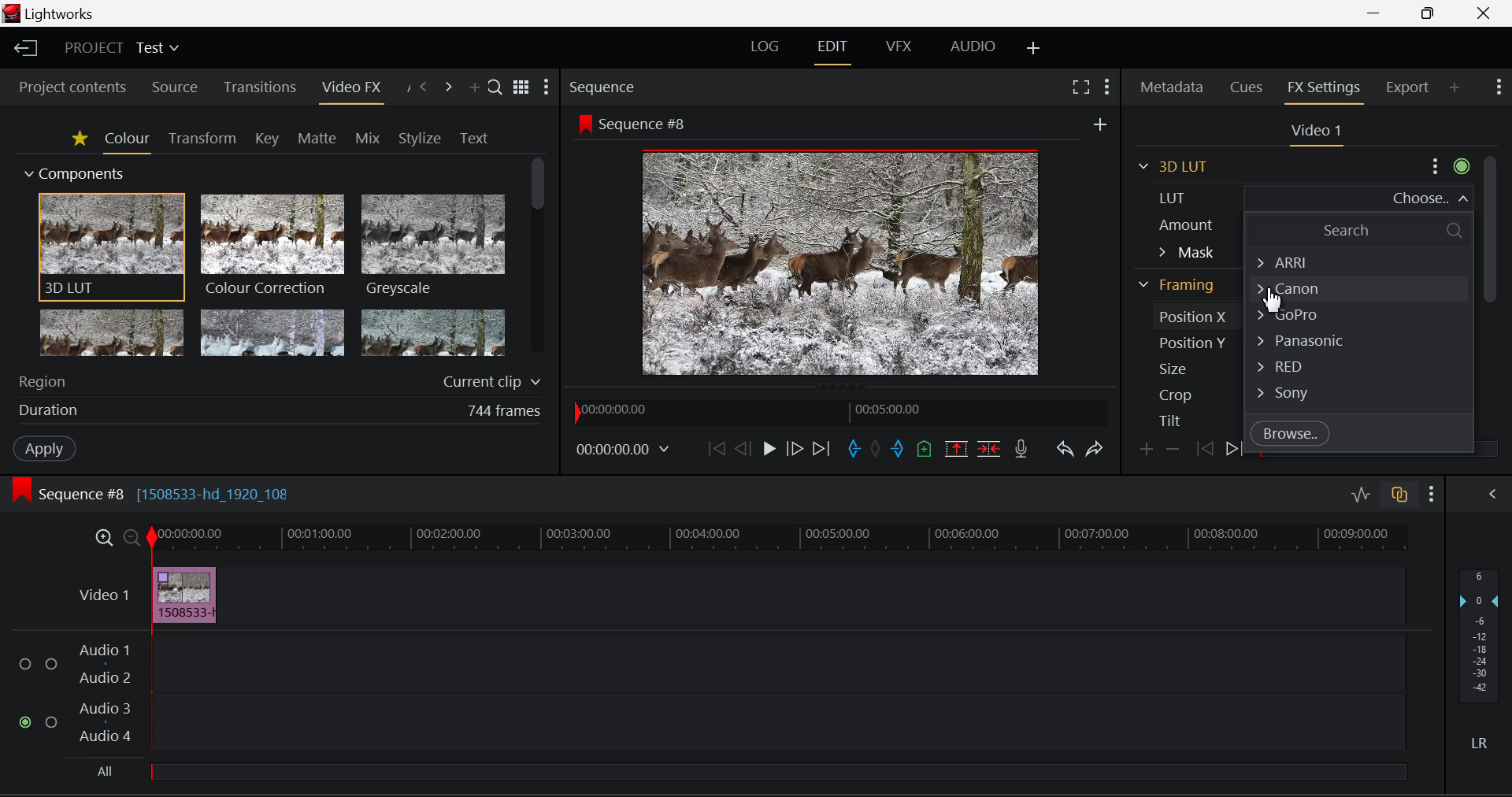 This screenshot has width=1512, height=797. What do you see at coordinates (24, 721) in the screenshot?
I see `Audio Input Checkbox` at bounding box center [24, 721].